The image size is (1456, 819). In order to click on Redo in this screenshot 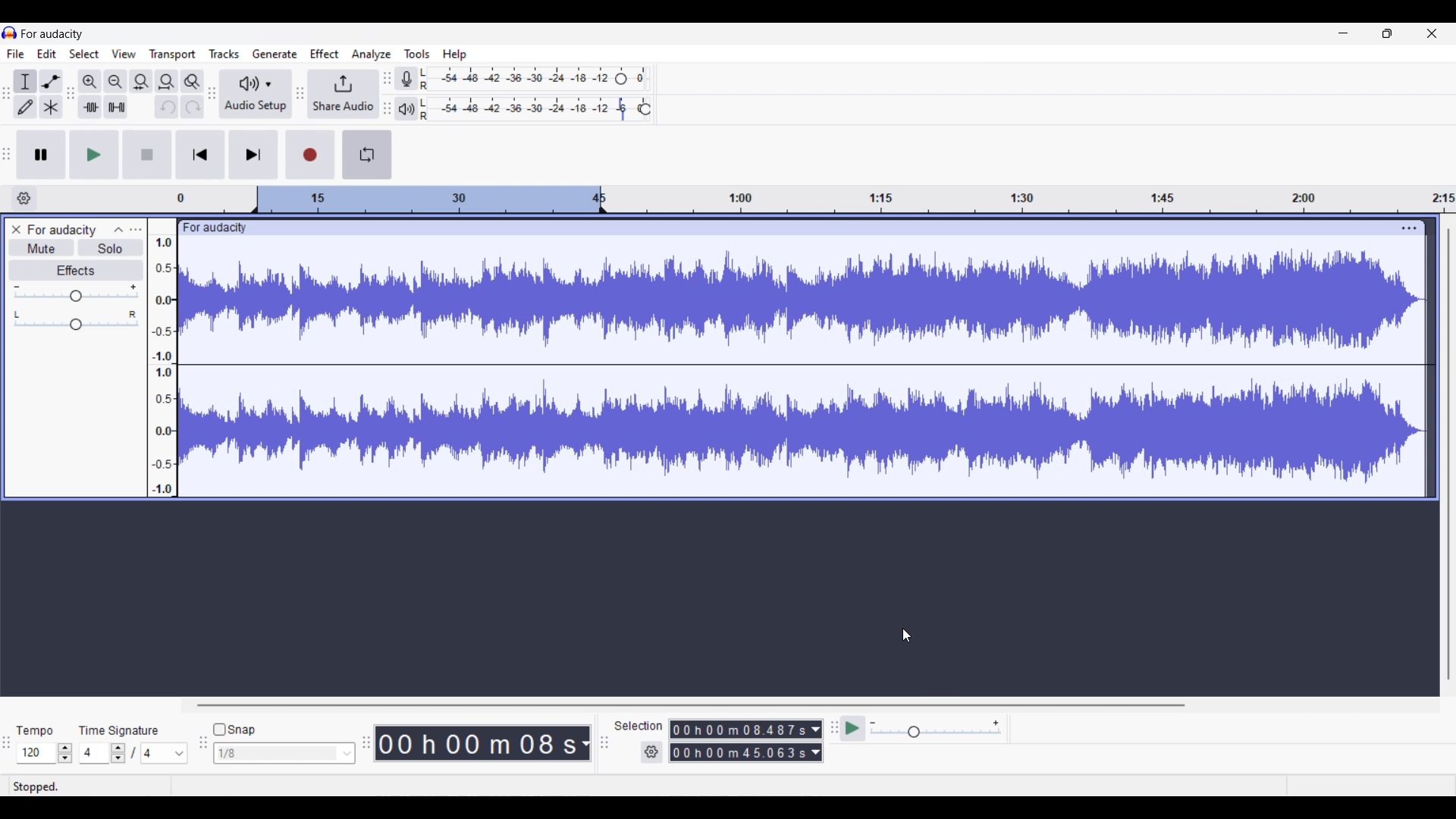, I will do `click(193, 106)`.